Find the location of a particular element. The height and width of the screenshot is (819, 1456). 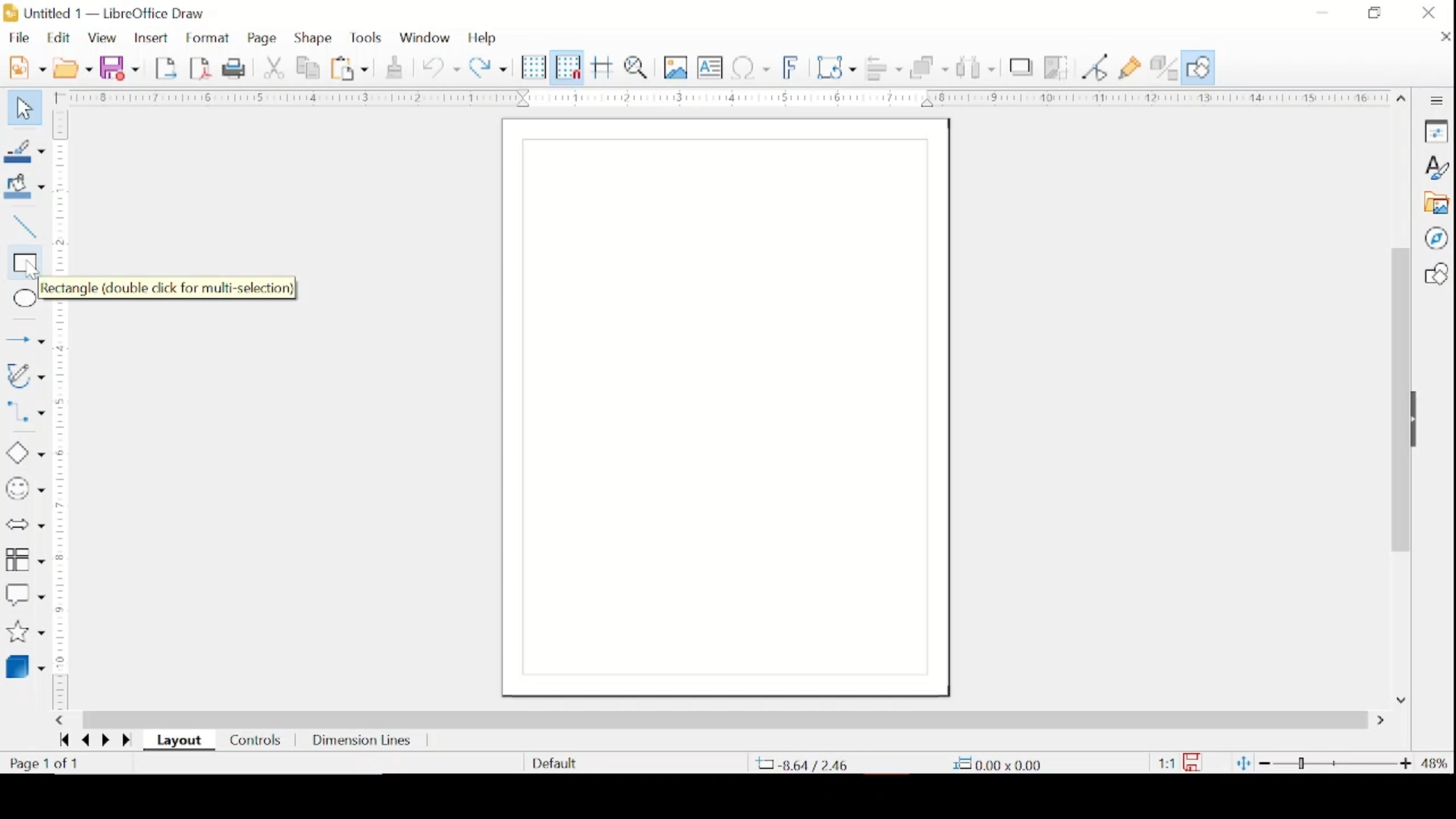

styles is located at coordinates (1436, 168).